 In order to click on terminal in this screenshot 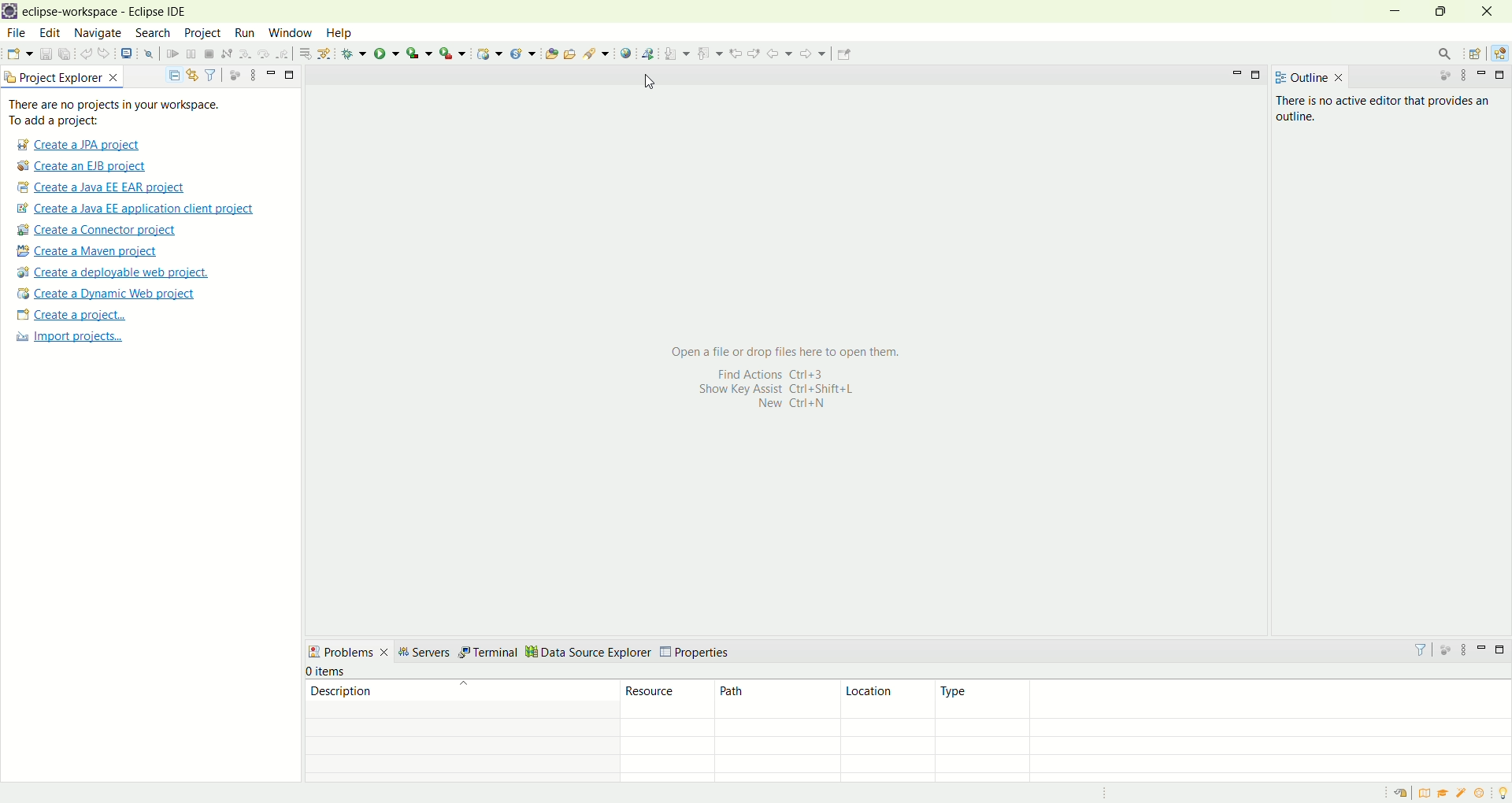, I will do `click(490, 651)`.